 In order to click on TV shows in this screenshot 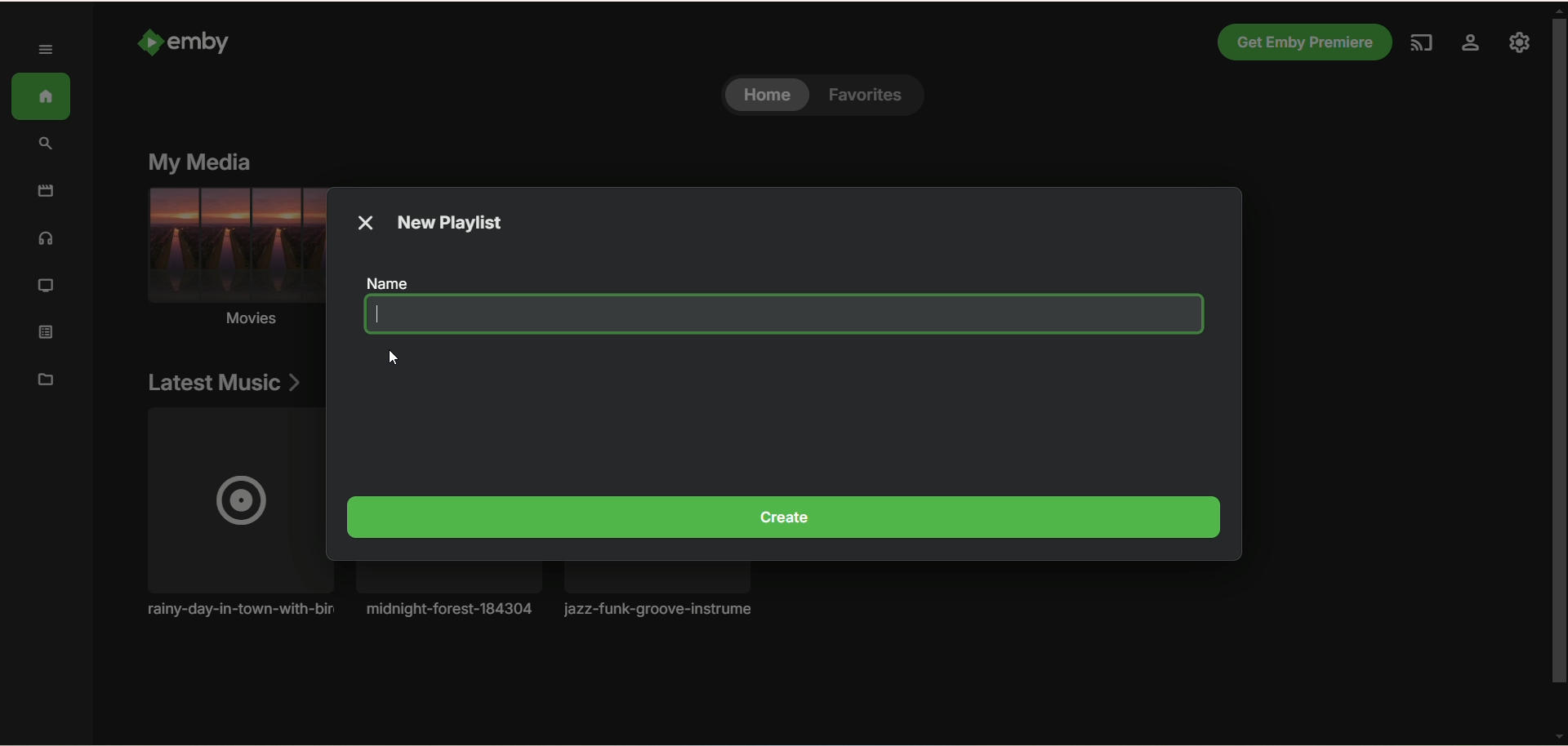, I will do `click(47, 287)`.